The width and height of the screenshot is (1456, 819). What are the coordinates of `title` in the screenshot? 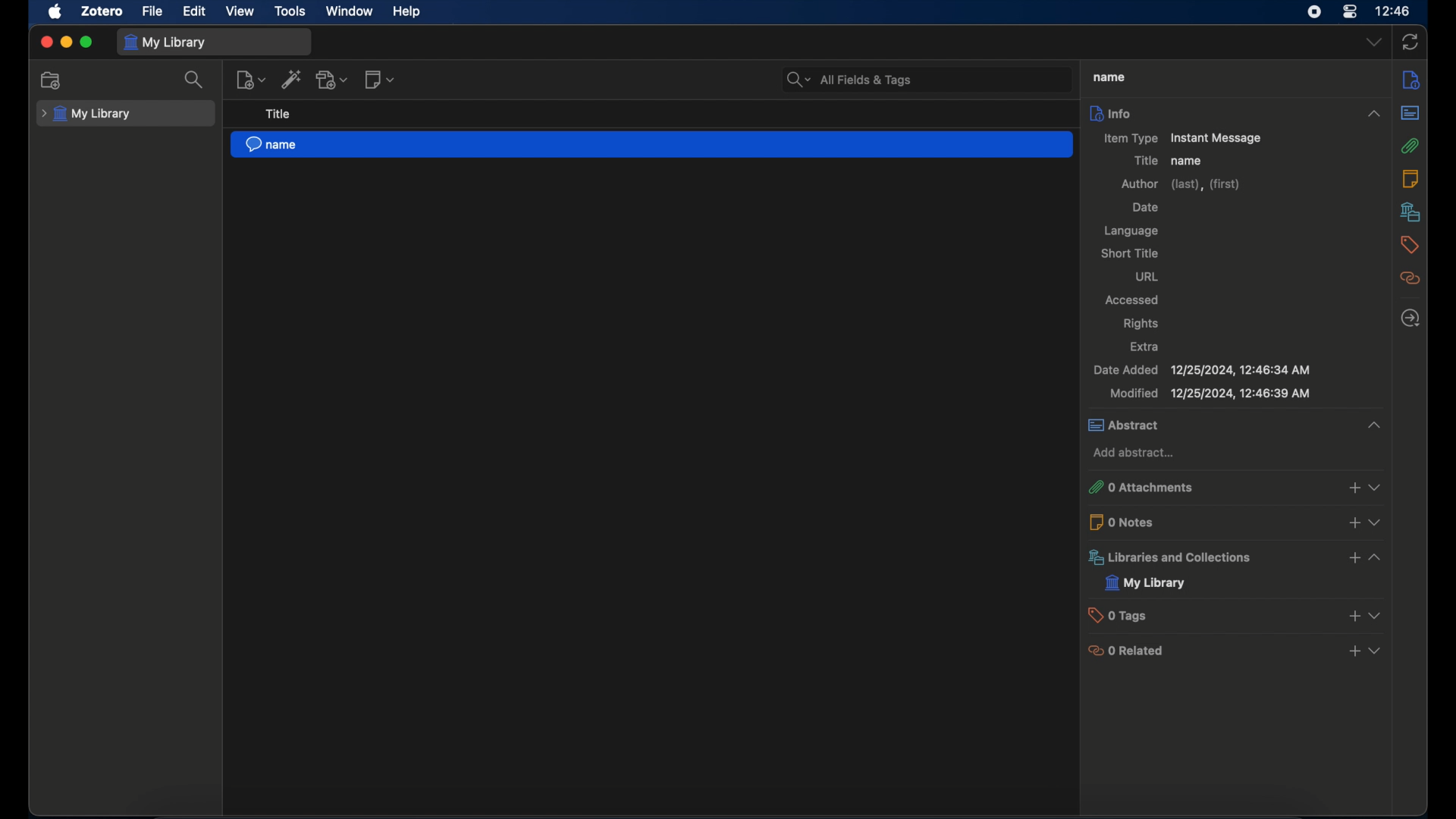 It's located at (1145, 160).